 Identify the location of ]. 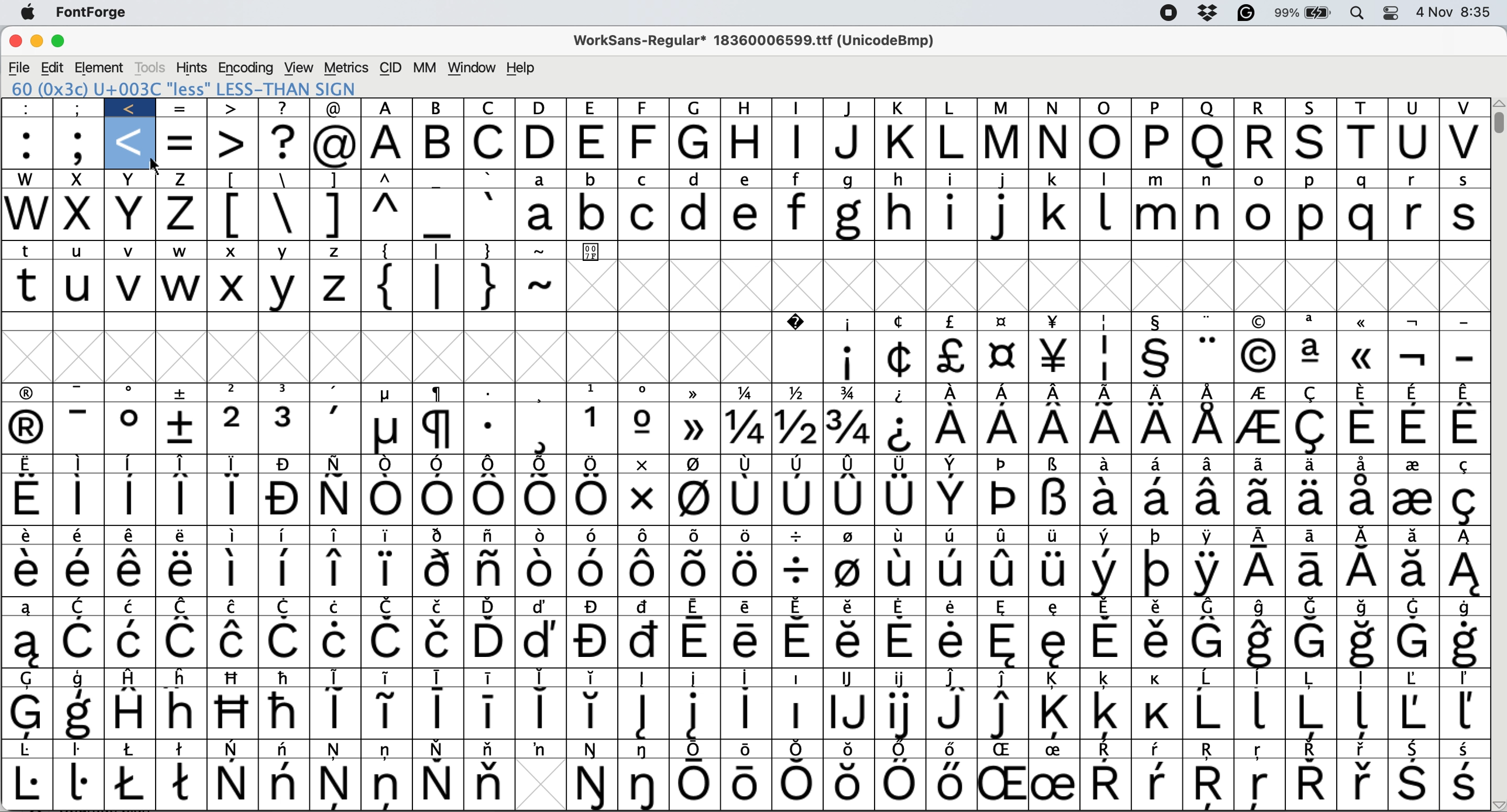
(336, 214).